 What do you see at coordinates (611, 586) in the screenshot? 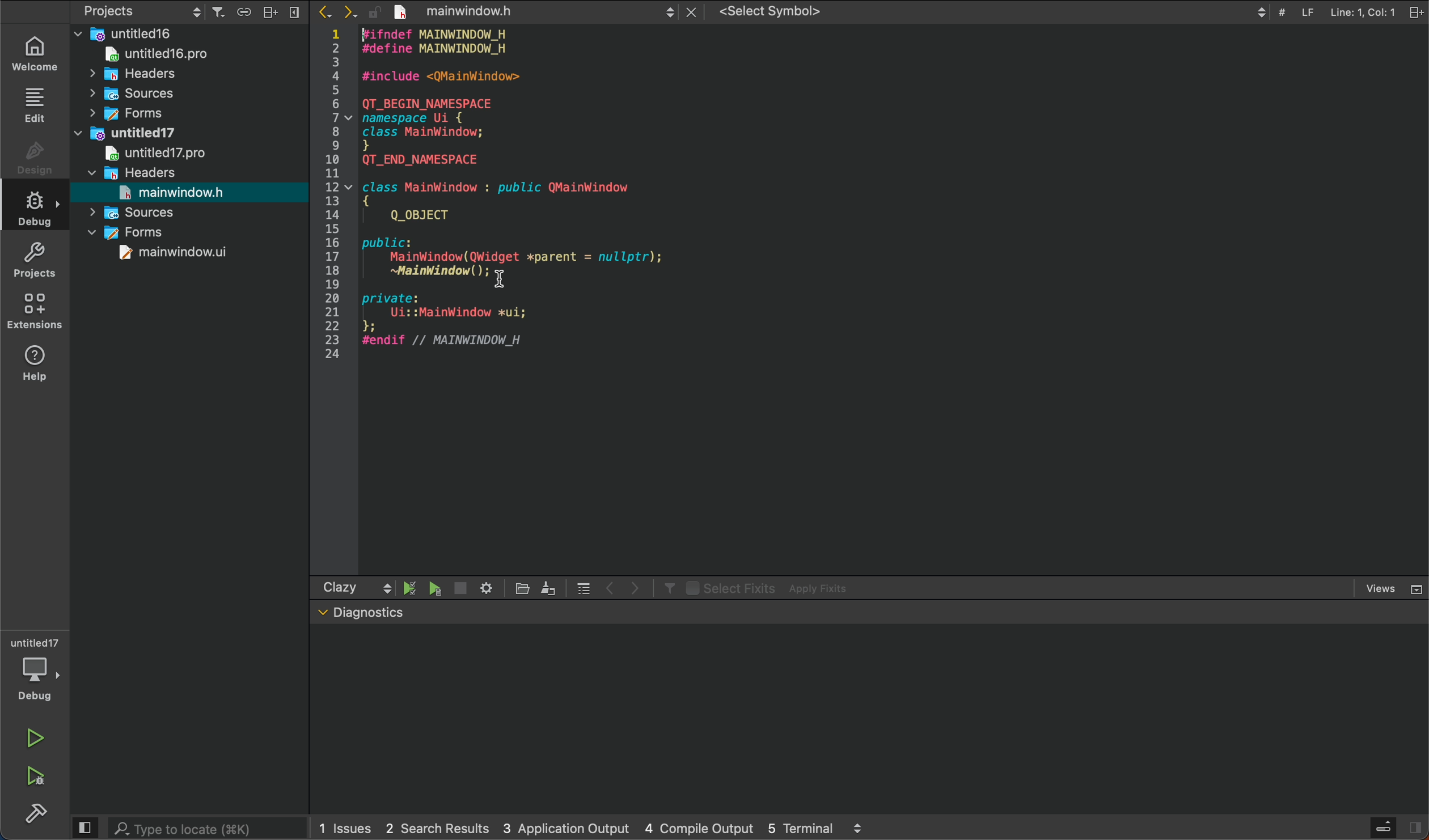
I see `Previous` at bounding box center [611, 586].